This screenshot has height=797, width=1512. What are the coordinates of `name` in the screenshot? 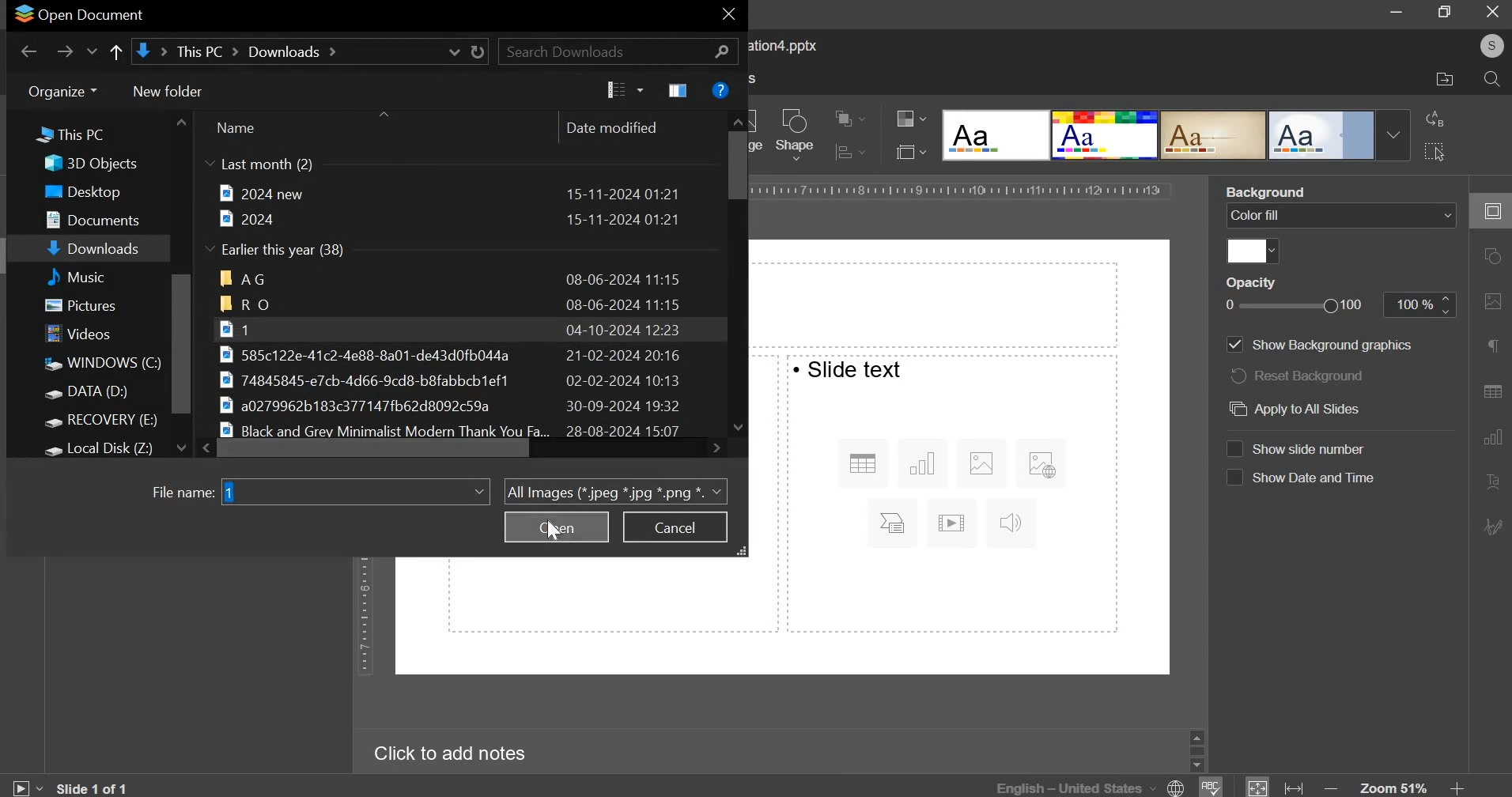 It's located at (235, 127).